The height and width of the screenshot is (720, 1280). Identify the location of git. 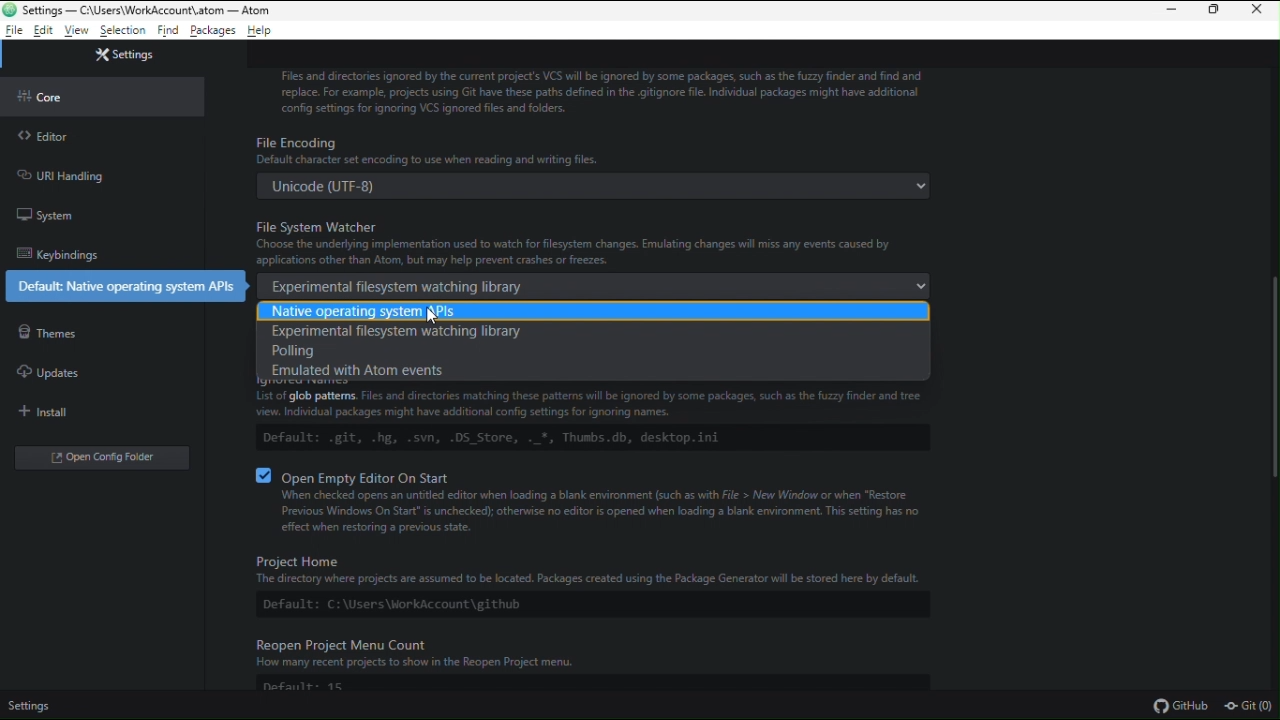
(1250, 707).